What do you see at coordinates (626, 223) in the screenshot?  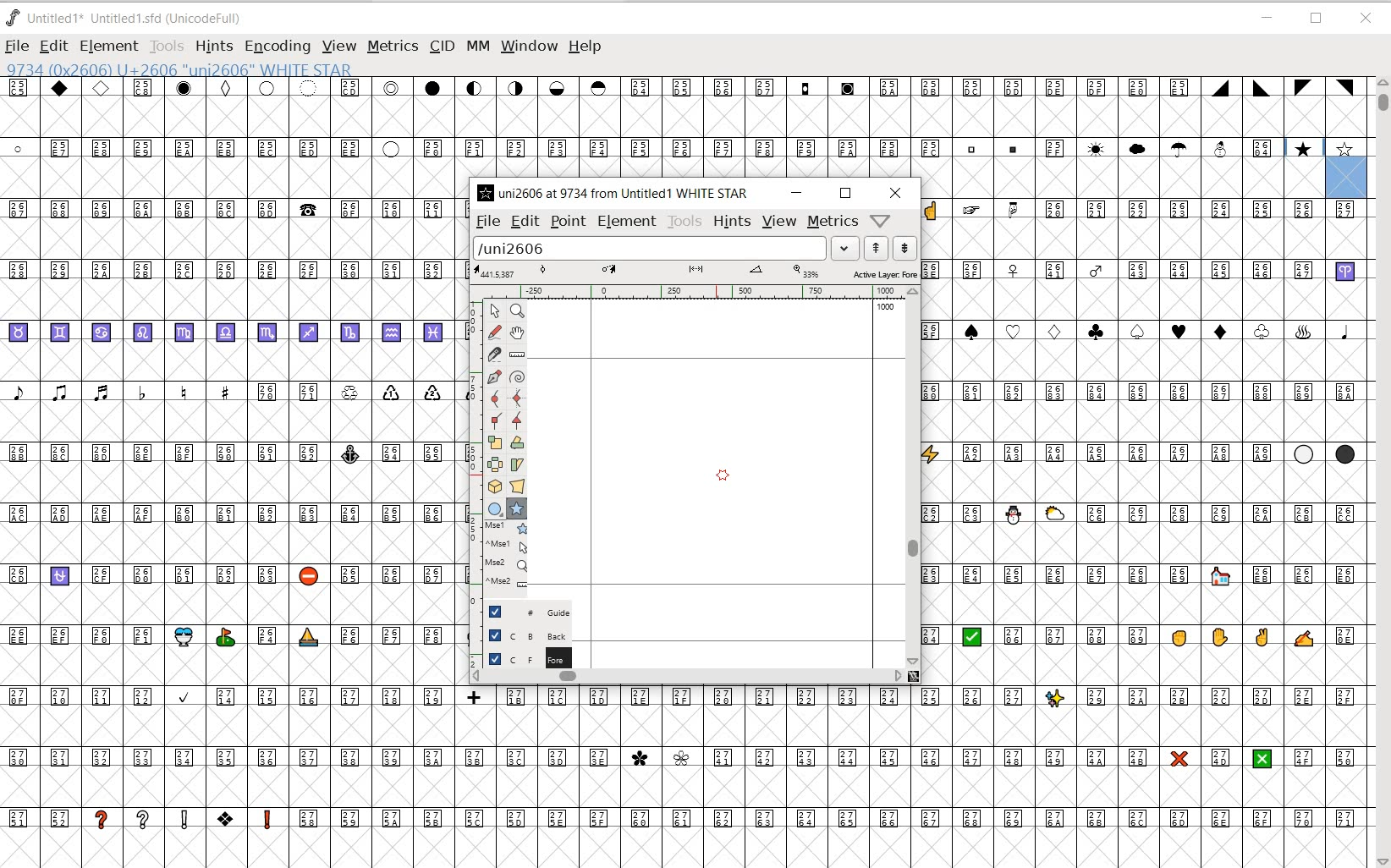 I see `ELEMENT` at bounding box center [626, 223].